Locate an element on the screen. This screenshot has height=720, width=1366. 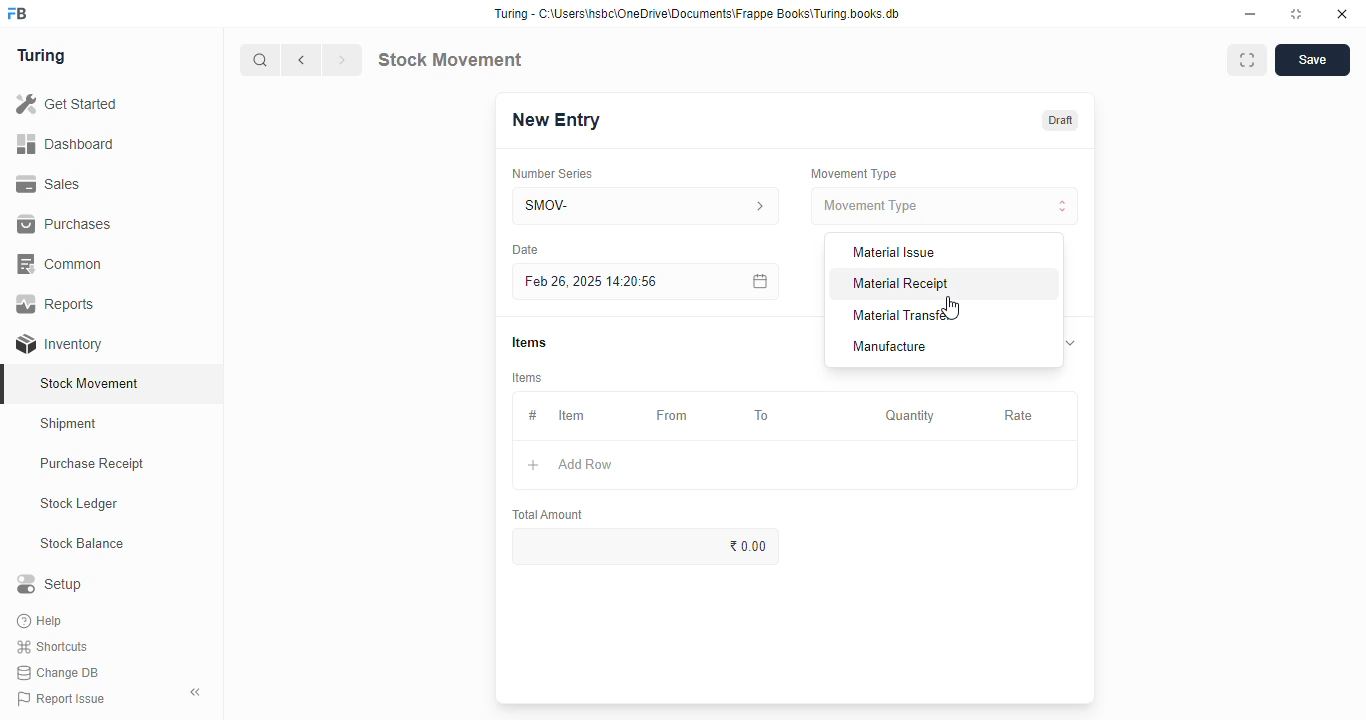
stock balance is located at coordinates (83, 544).